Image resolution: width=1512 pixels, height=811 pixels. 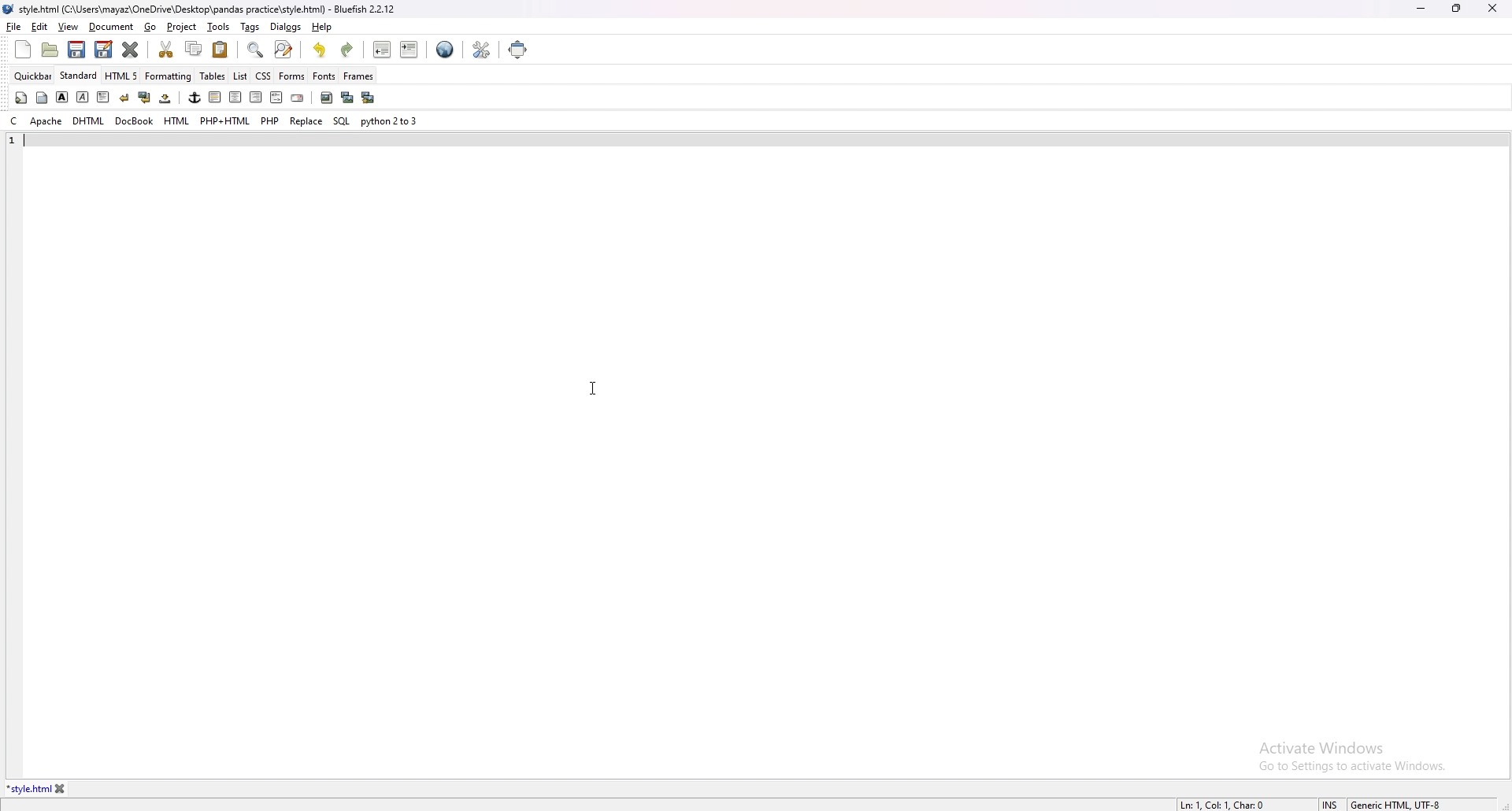 I want to click on break and clear, so click(x=143, y=98).